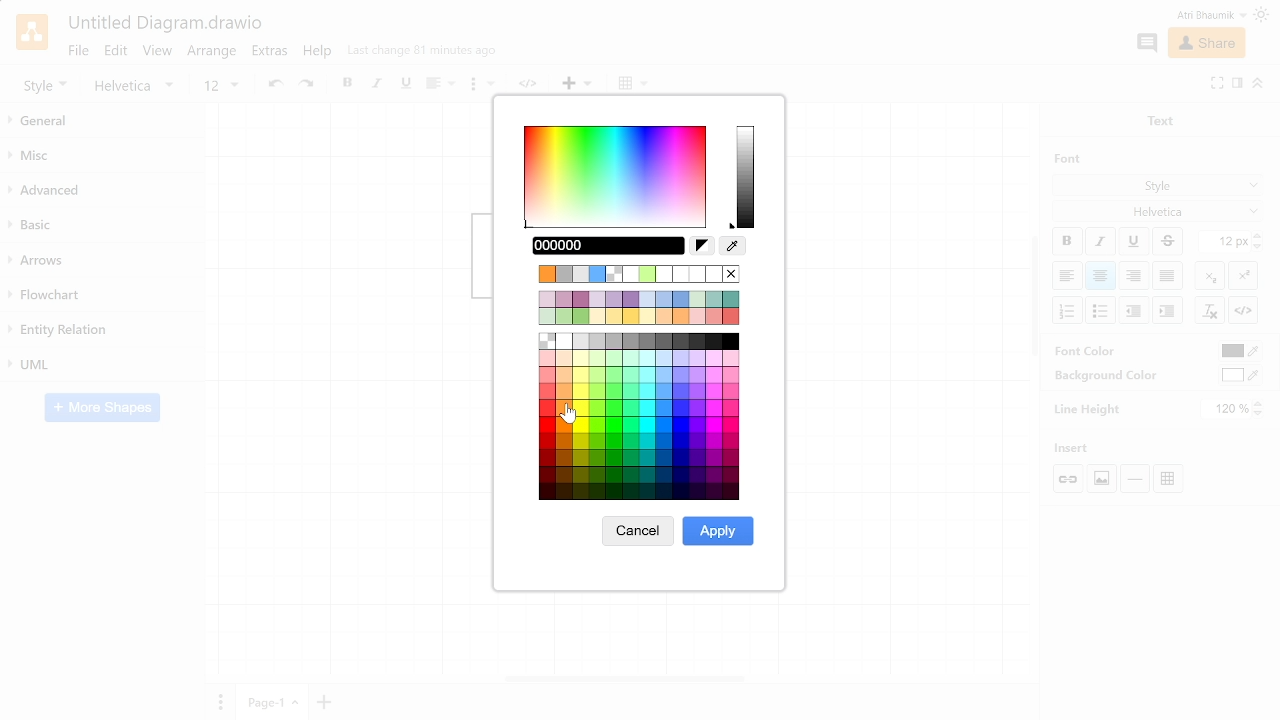 The width and height of the screenshot is (1280, 720). Describe the element at coordinates (438, 85) in the screenshot. I see `align` at that location.